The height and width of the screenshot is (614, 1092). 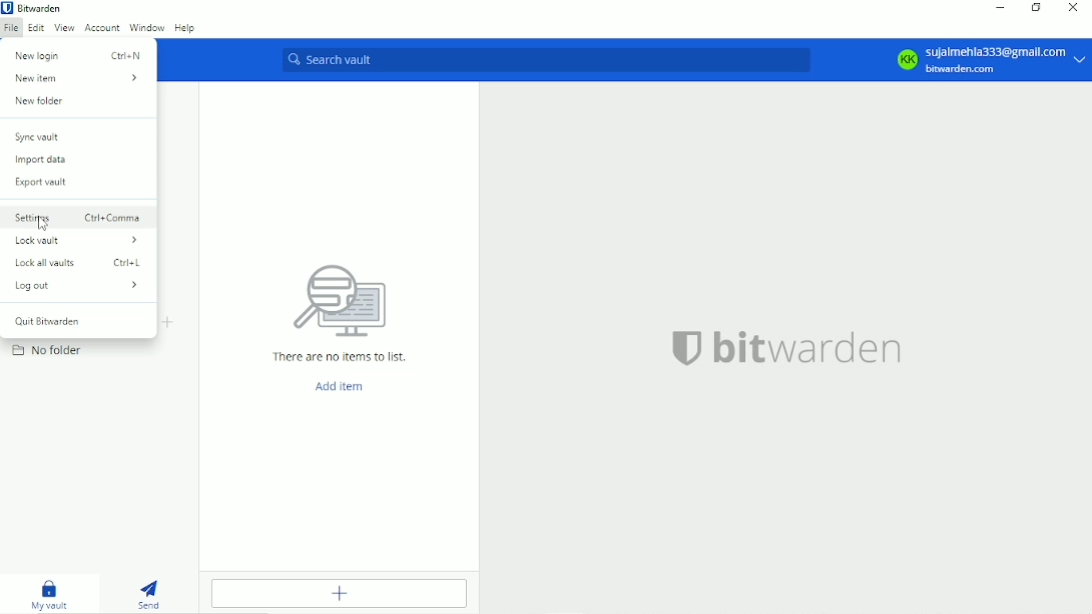 I want to click on Lock all vaults, so click(x=83, y=263).